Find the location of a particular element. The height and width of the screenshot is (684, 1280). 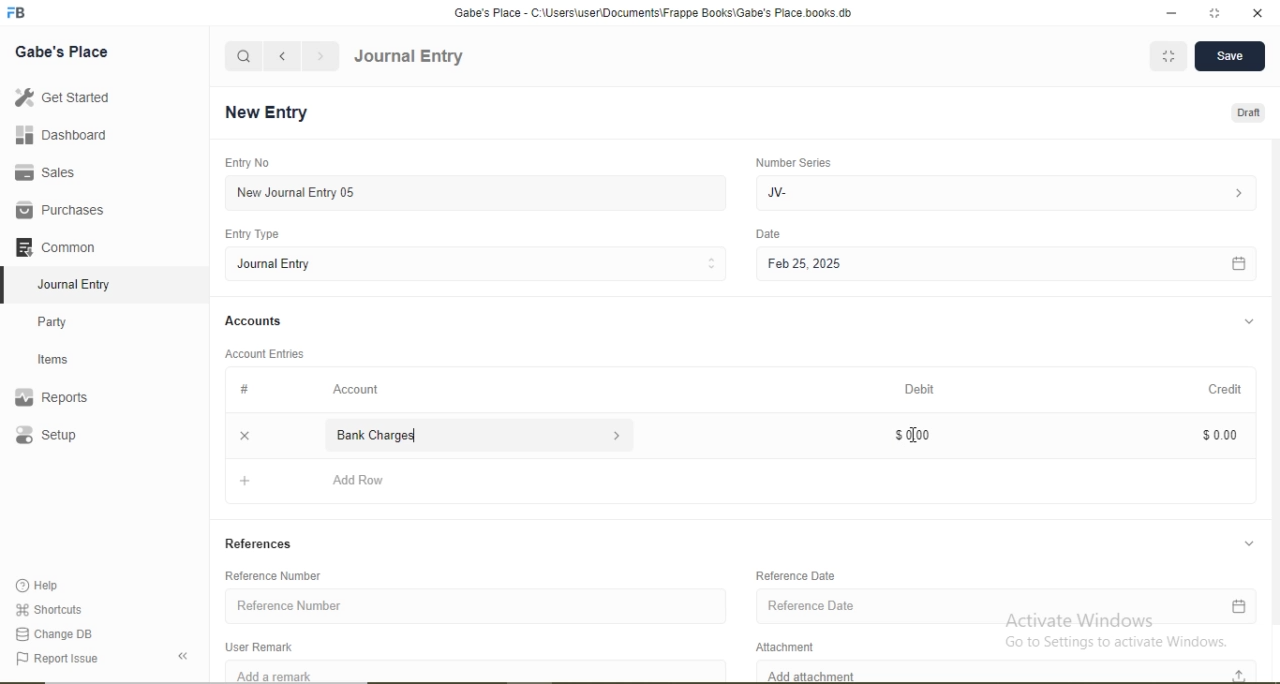

navigate forward is located at coordinates (322, 56).